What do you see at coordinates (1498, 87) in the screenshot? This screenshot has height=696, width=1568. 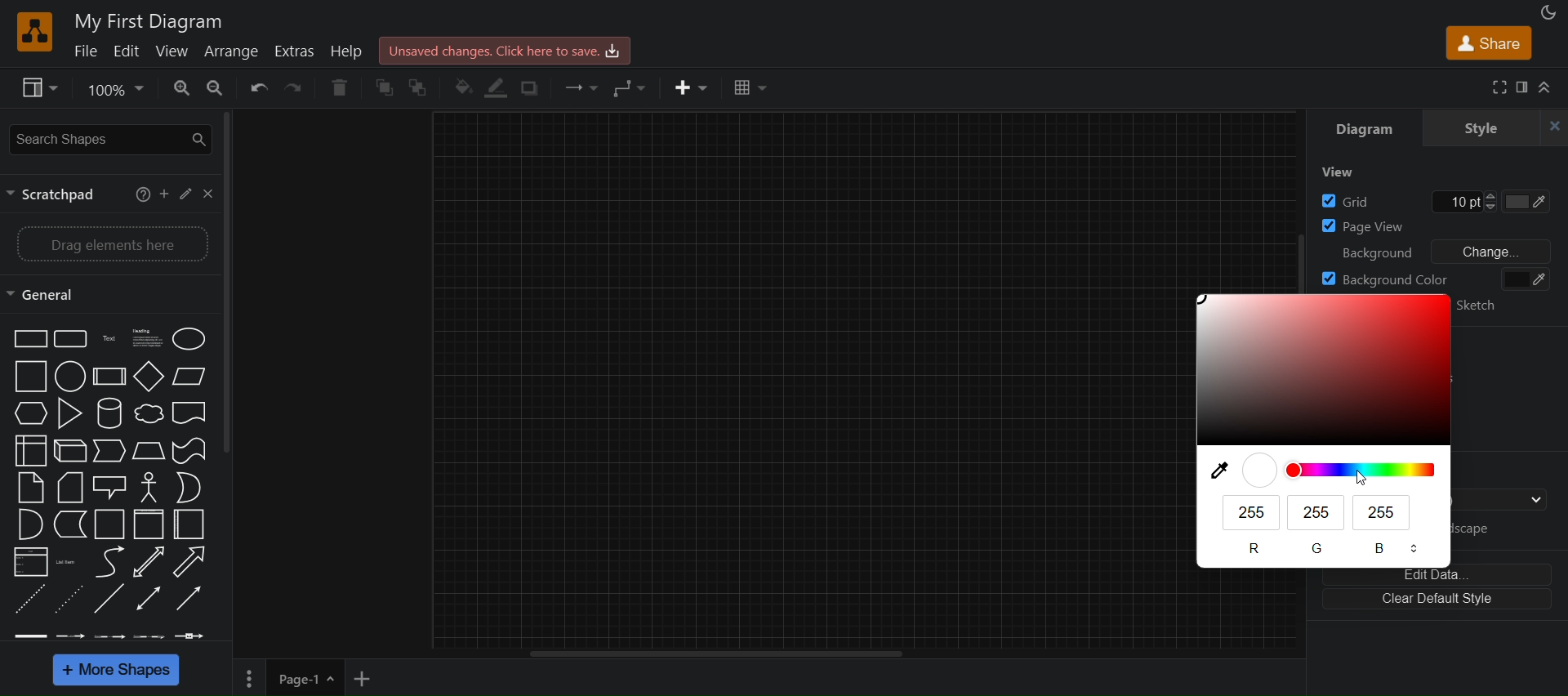 I see `fullscreen` at bounding box center [1498, 87].